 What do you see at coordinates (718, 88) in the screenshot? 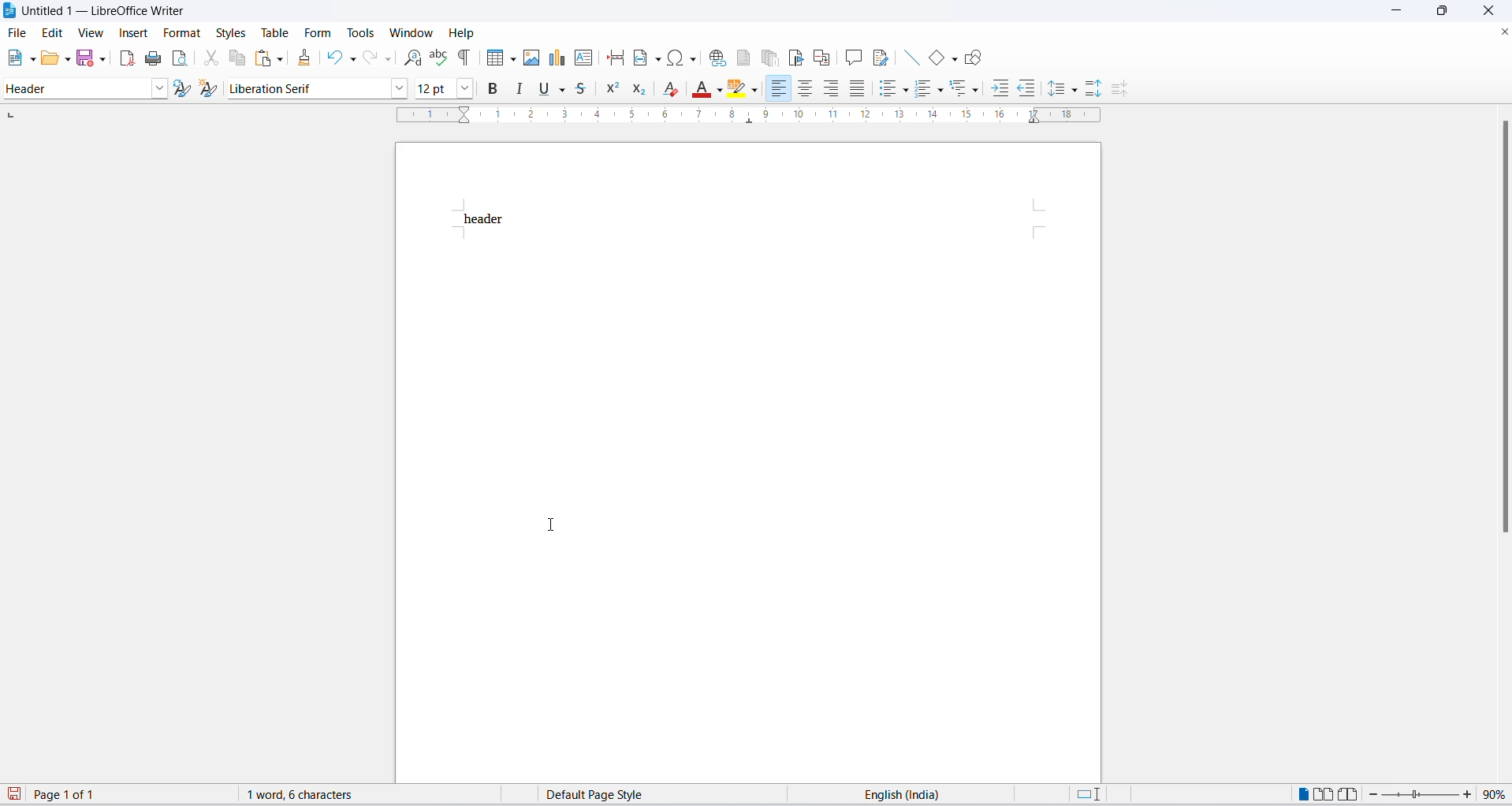
I see `font color options` at bounding box center [718, 88].